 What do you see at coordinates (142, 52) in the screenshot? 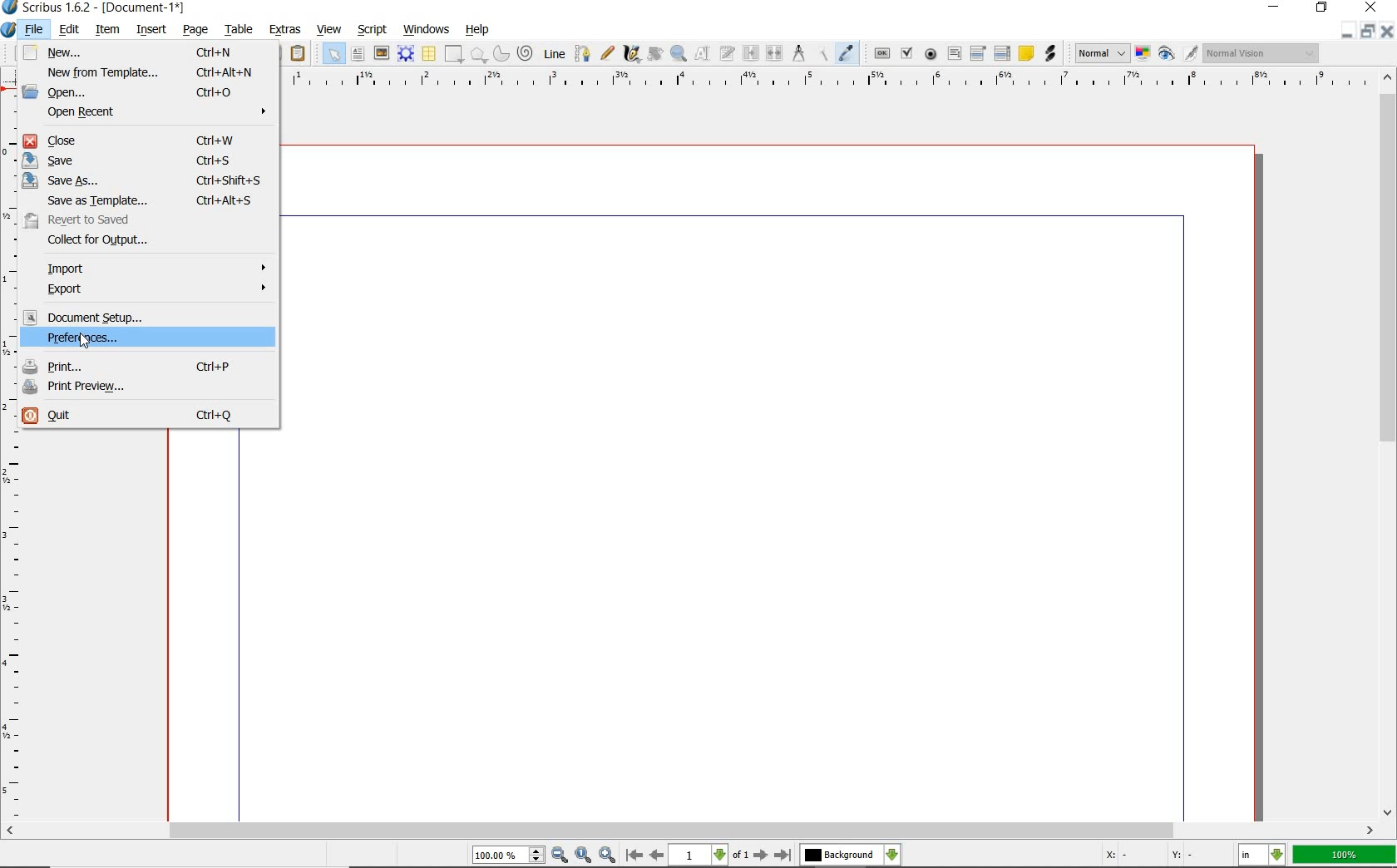
I see `new` at bounding box center [142, 52].